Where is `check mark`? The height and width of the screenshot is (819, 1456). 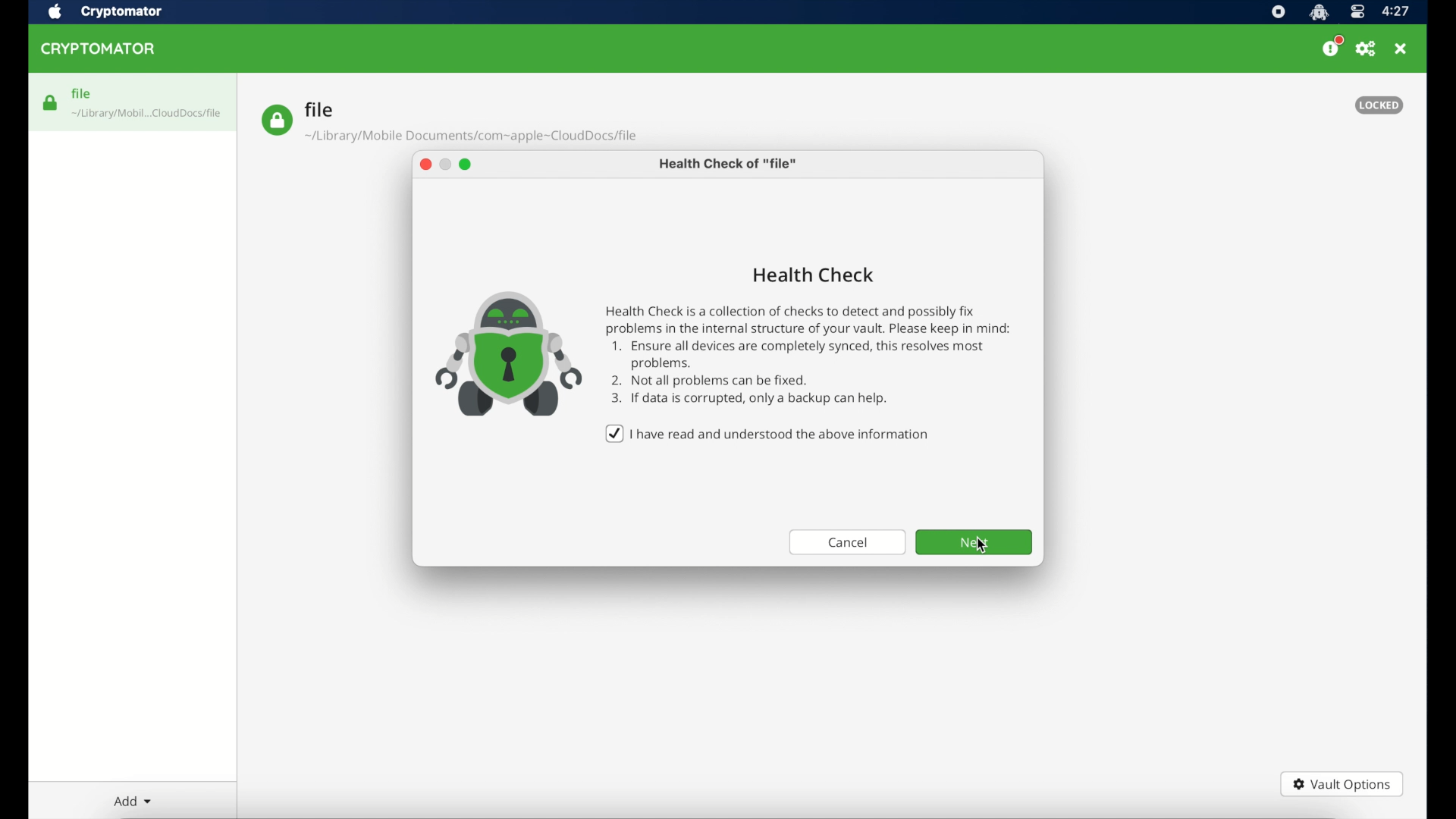
check mark is located at coordinates (612, 433).